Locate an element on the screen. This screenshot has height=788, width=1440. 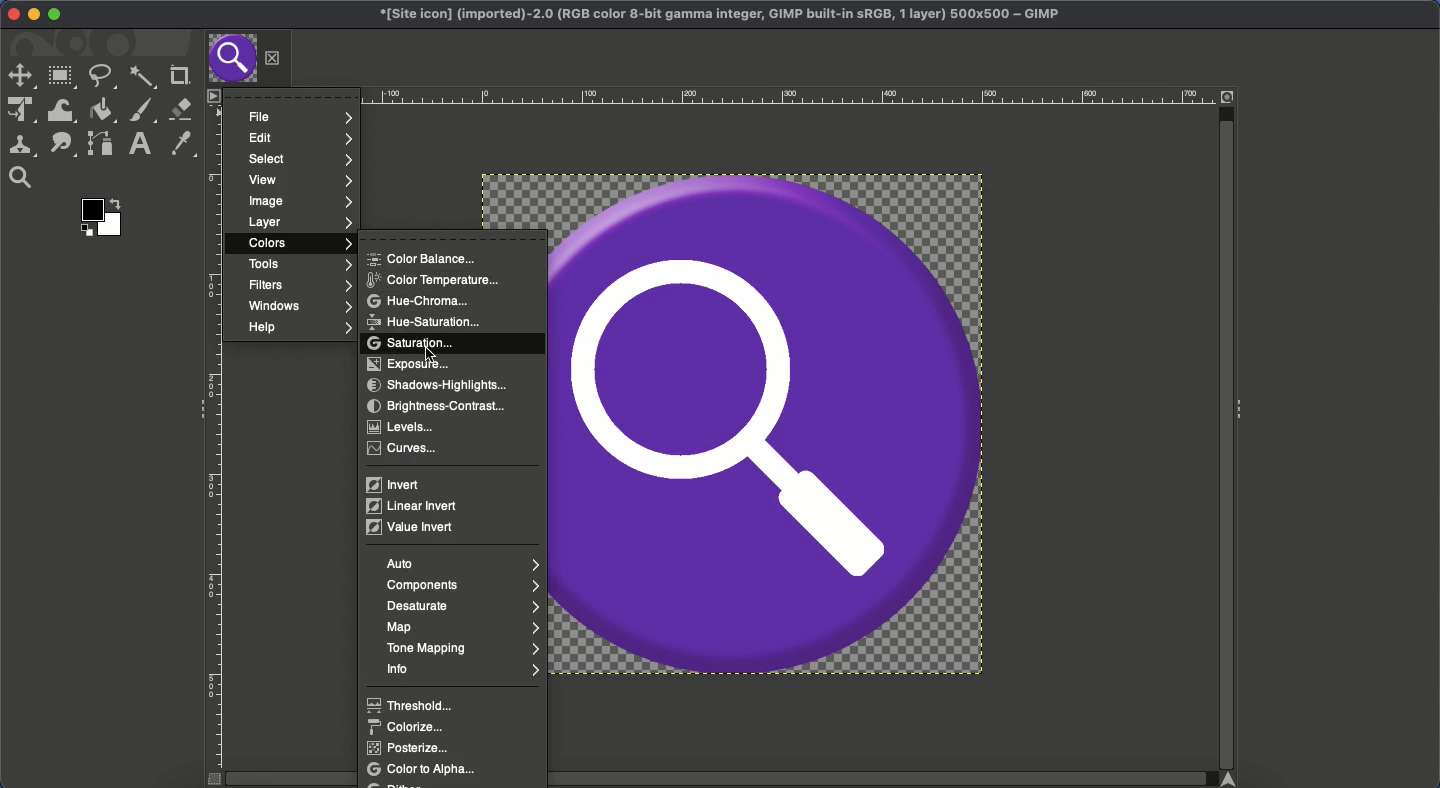
Auto is located at coordinates (460, 564).